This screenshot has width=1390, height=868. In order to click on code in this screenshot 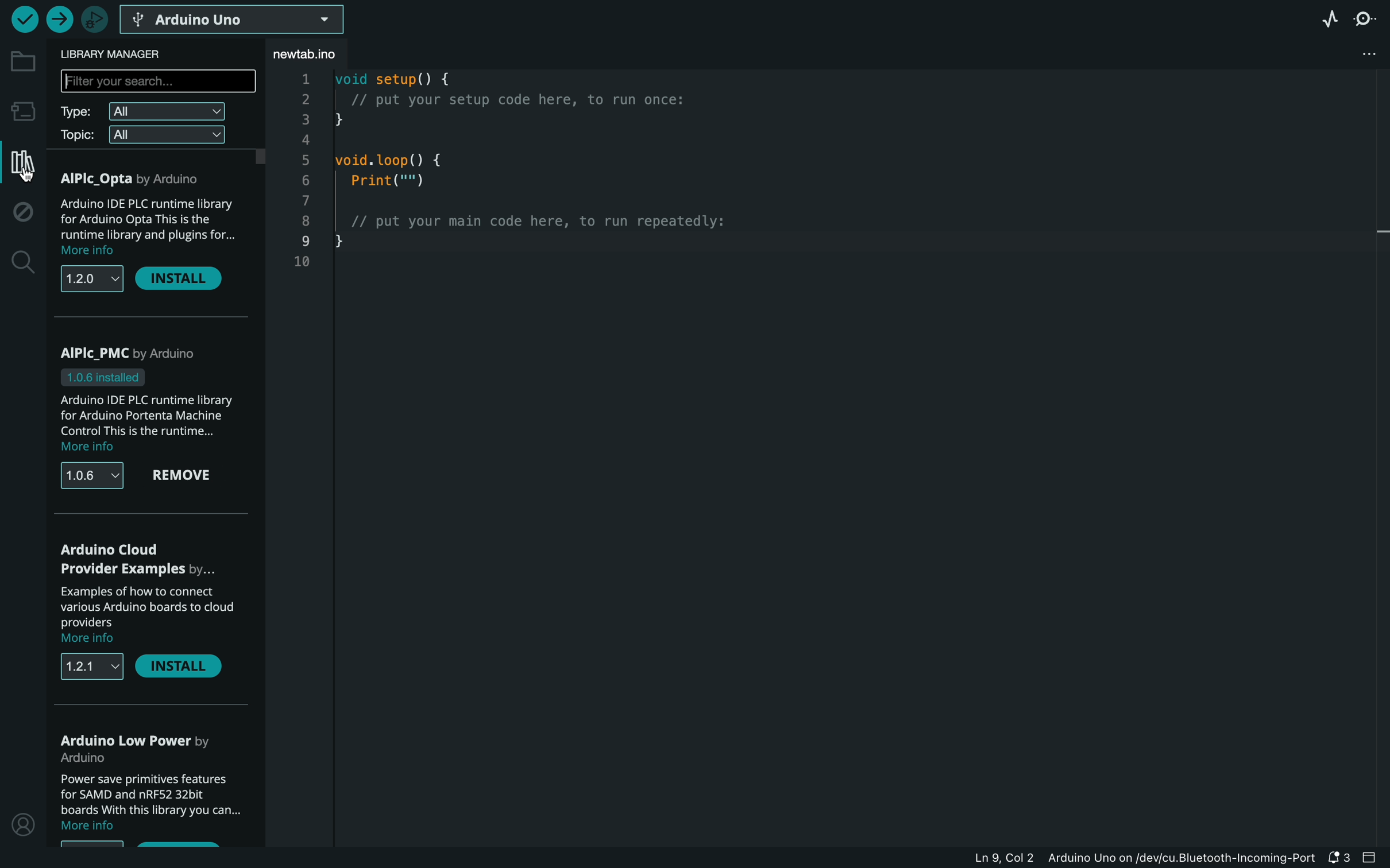, I will do `click(516, 189)`.